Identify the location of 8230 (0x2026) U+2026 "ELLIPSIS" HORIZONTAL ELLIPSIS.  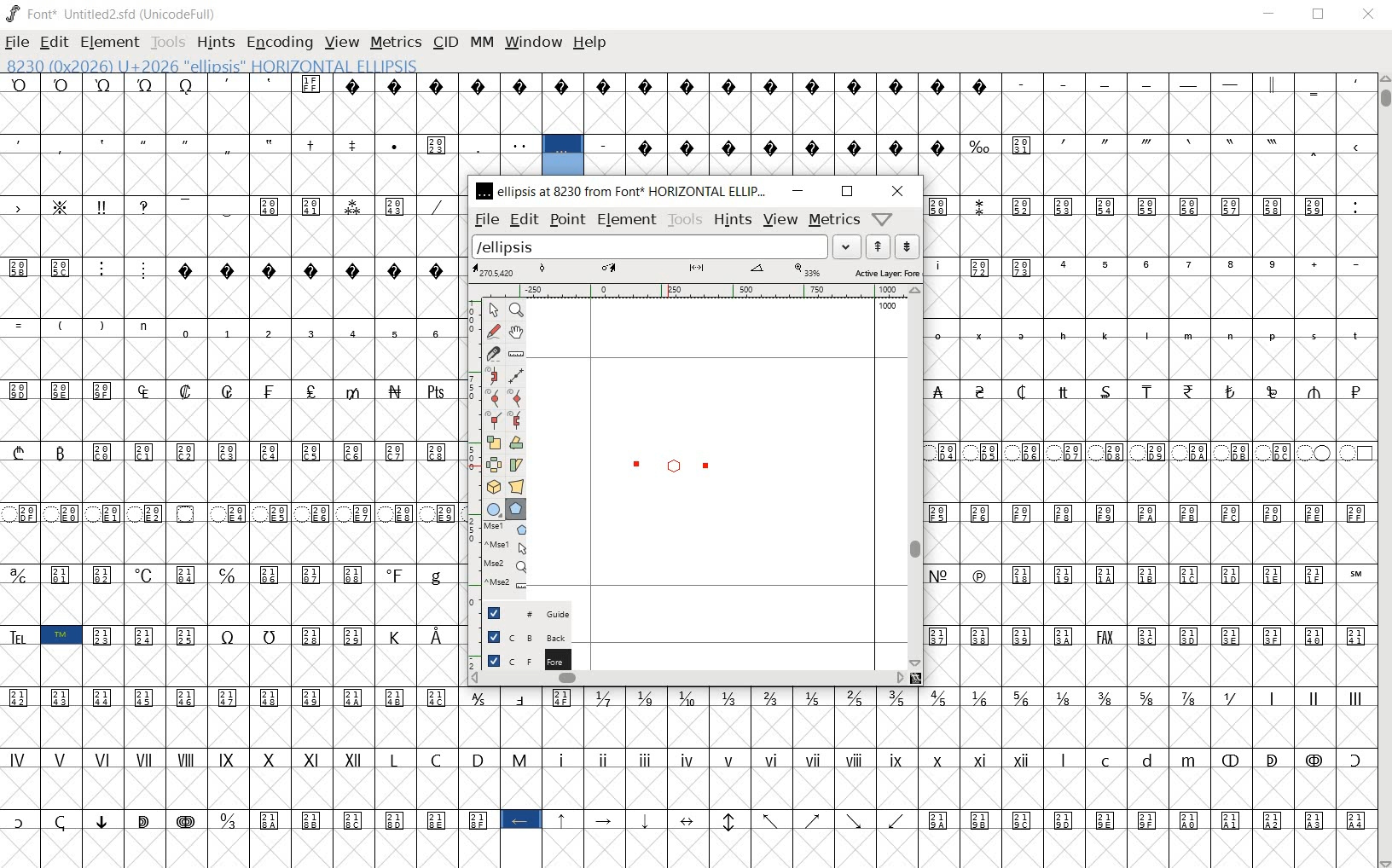
(270, 65).